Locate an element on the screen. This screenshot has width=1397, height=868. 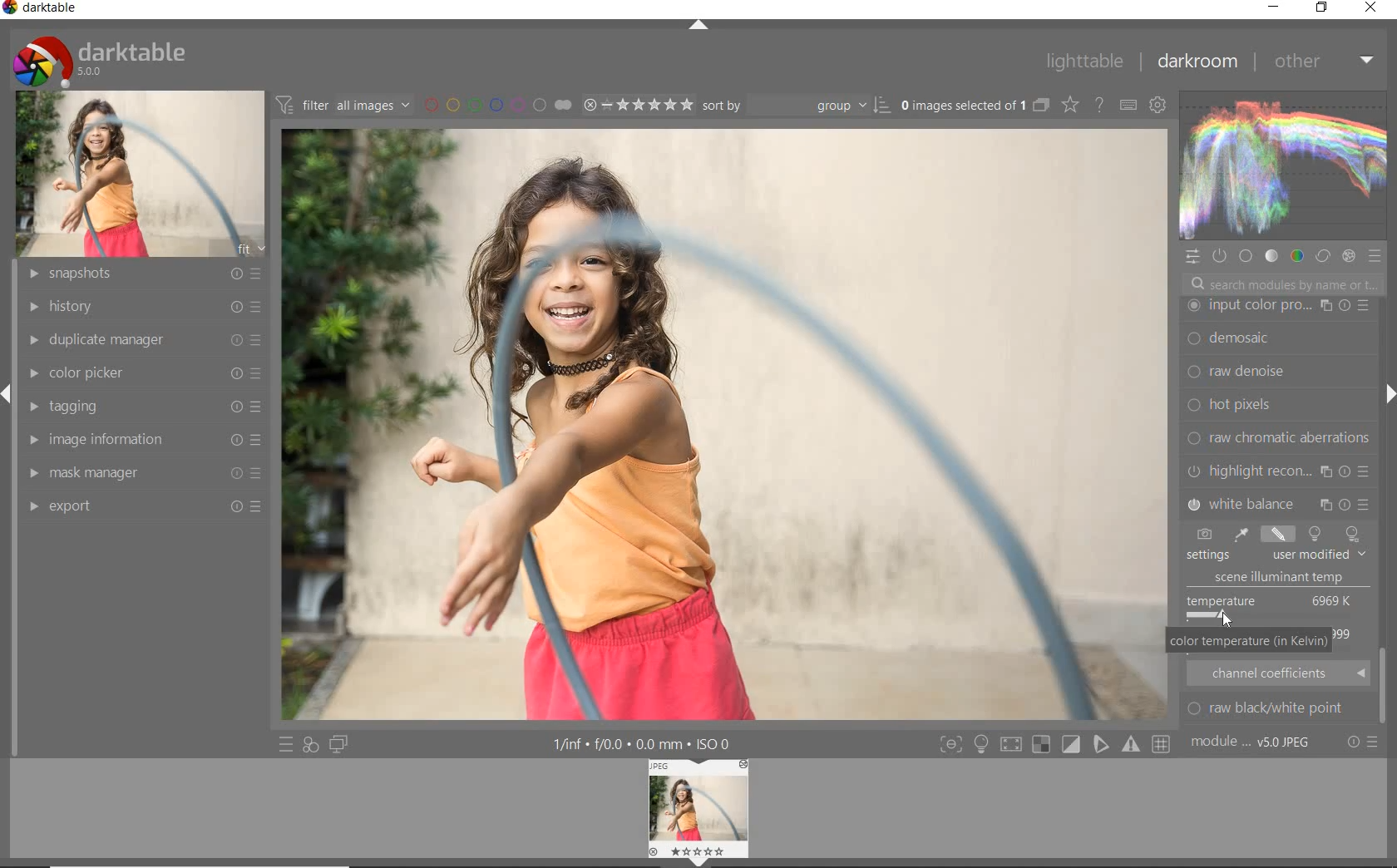
tagging is located at coordinates (143, 407).